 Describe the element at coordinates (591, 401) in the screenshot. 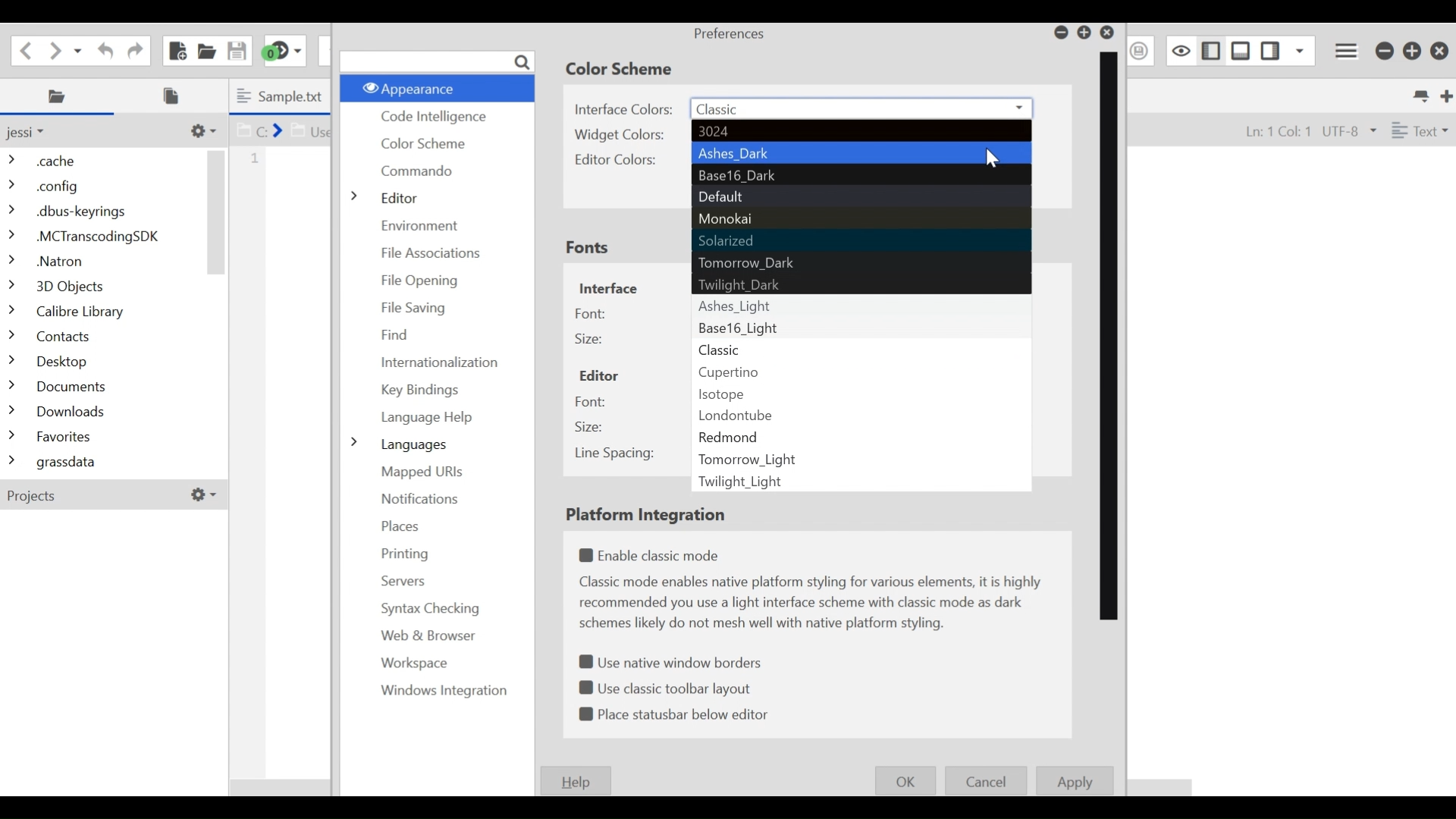

I see `Font` at that location.